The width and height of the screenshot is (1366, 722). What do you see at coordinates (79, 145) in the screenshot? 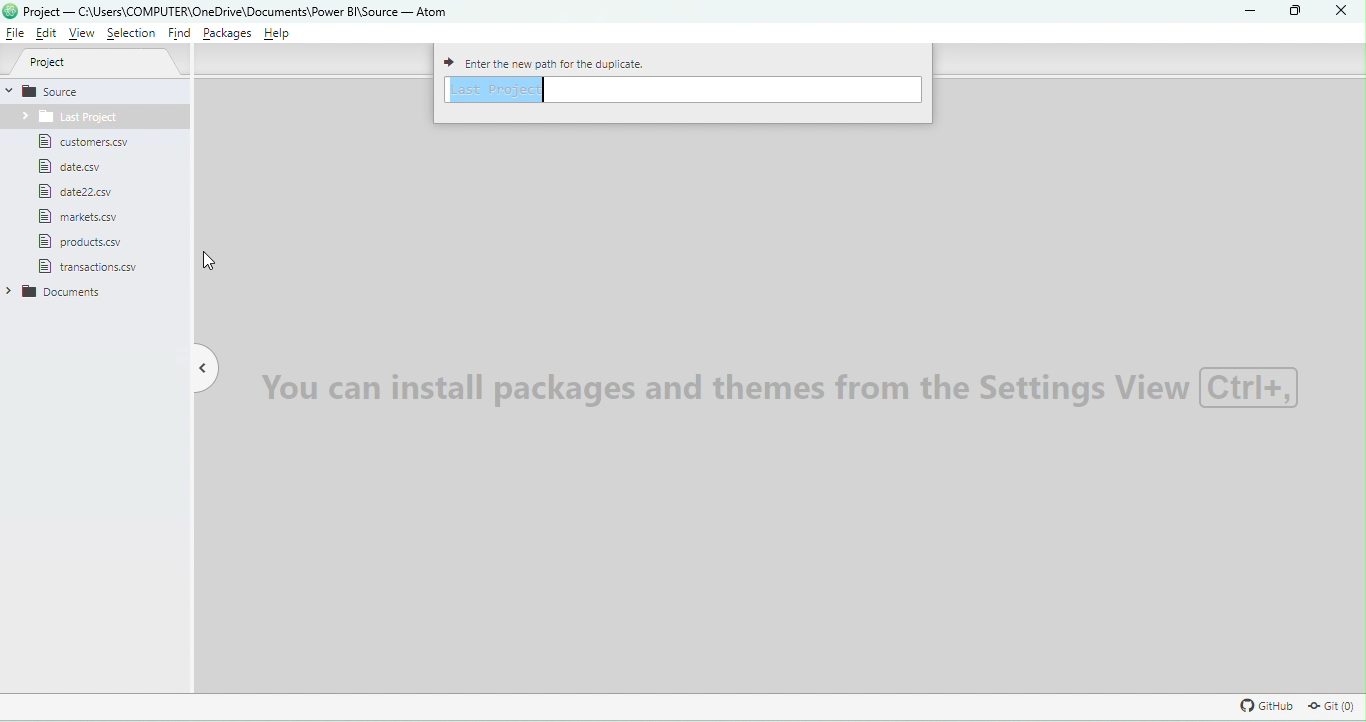
I see `File` at bounding box center [79, 145].